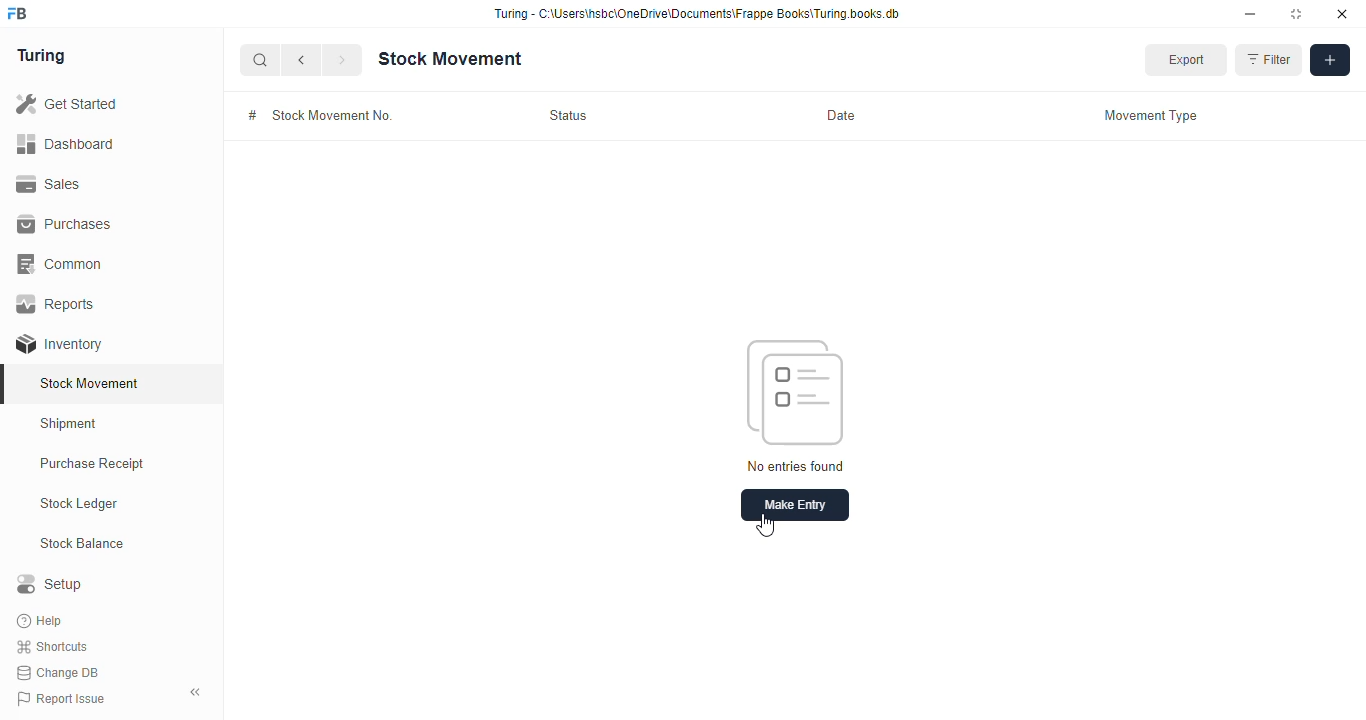 The height and width of the screenshot is (720, 1366). What do you see at coordinates (261, 60) in the screenshot?
I see `search` at bounding box center [261, 60].